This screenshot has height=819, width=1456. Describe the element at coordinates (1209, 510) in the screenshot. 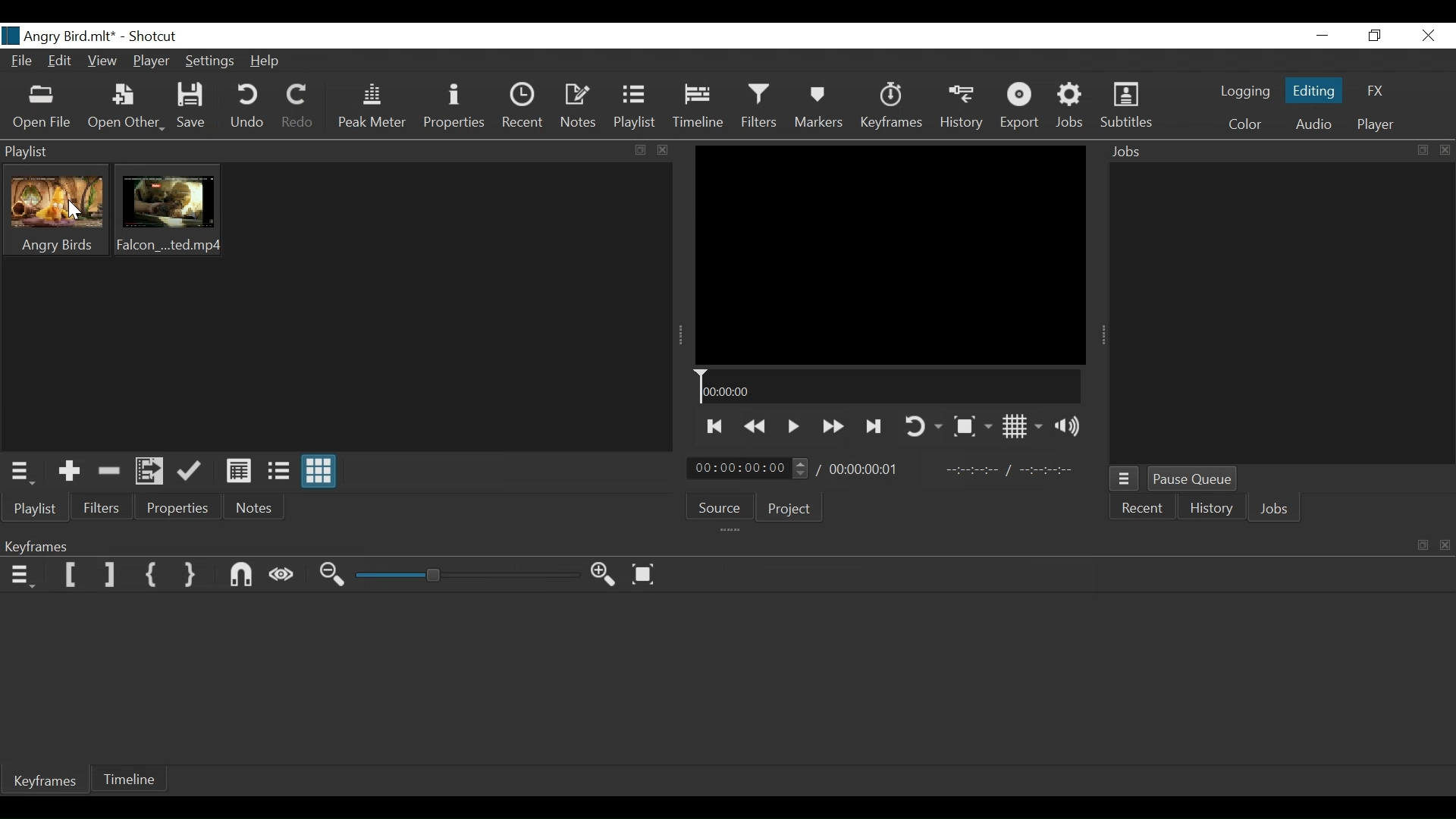

I see `History` at that location.